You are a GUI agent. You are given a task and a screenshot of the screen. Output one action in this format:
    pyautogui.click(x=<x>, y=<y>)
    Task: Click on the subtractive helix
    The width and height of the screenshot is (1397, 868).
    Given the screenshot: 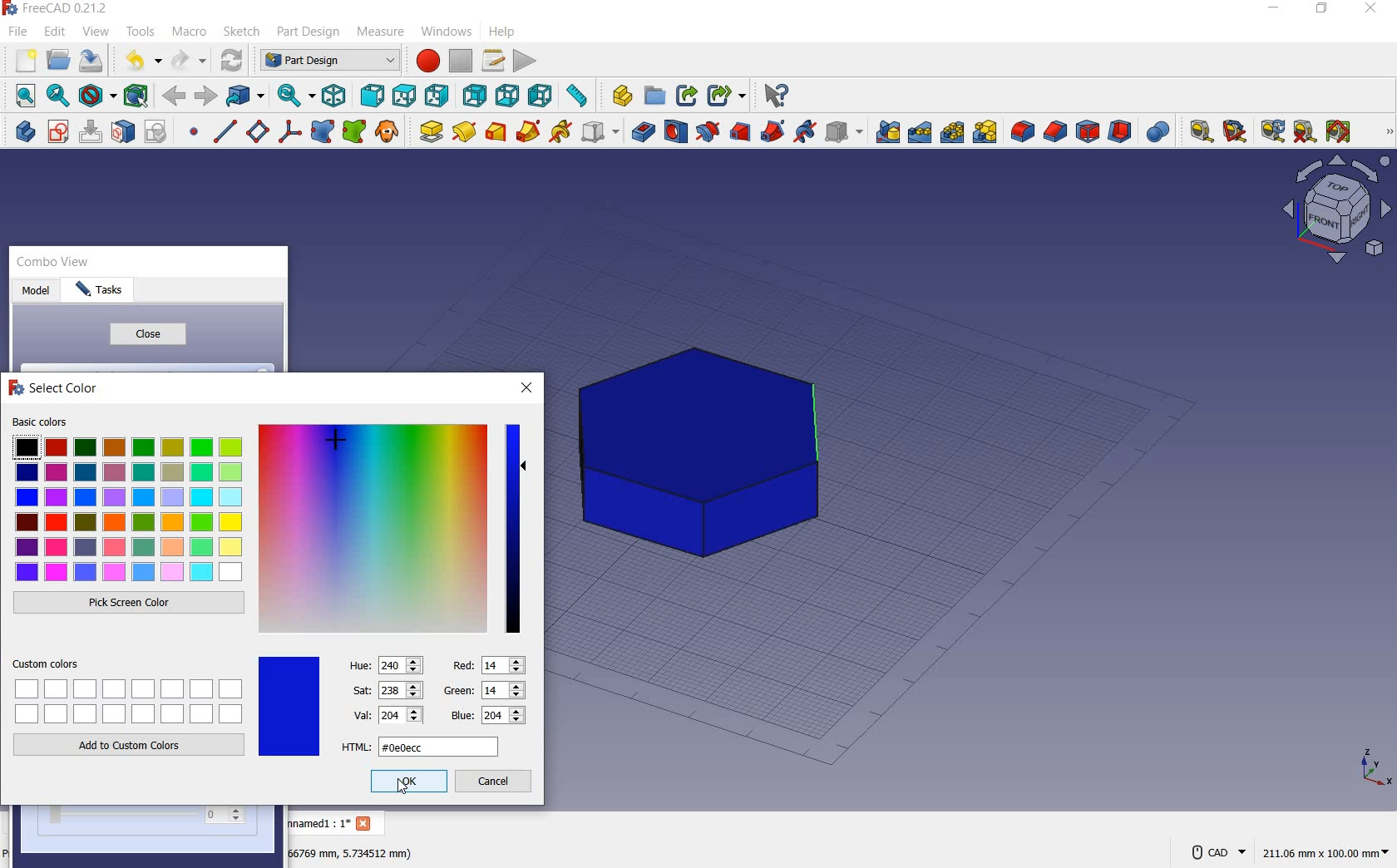 What is the action you would take?
    pyautogui.click(x=805, y=133)
    